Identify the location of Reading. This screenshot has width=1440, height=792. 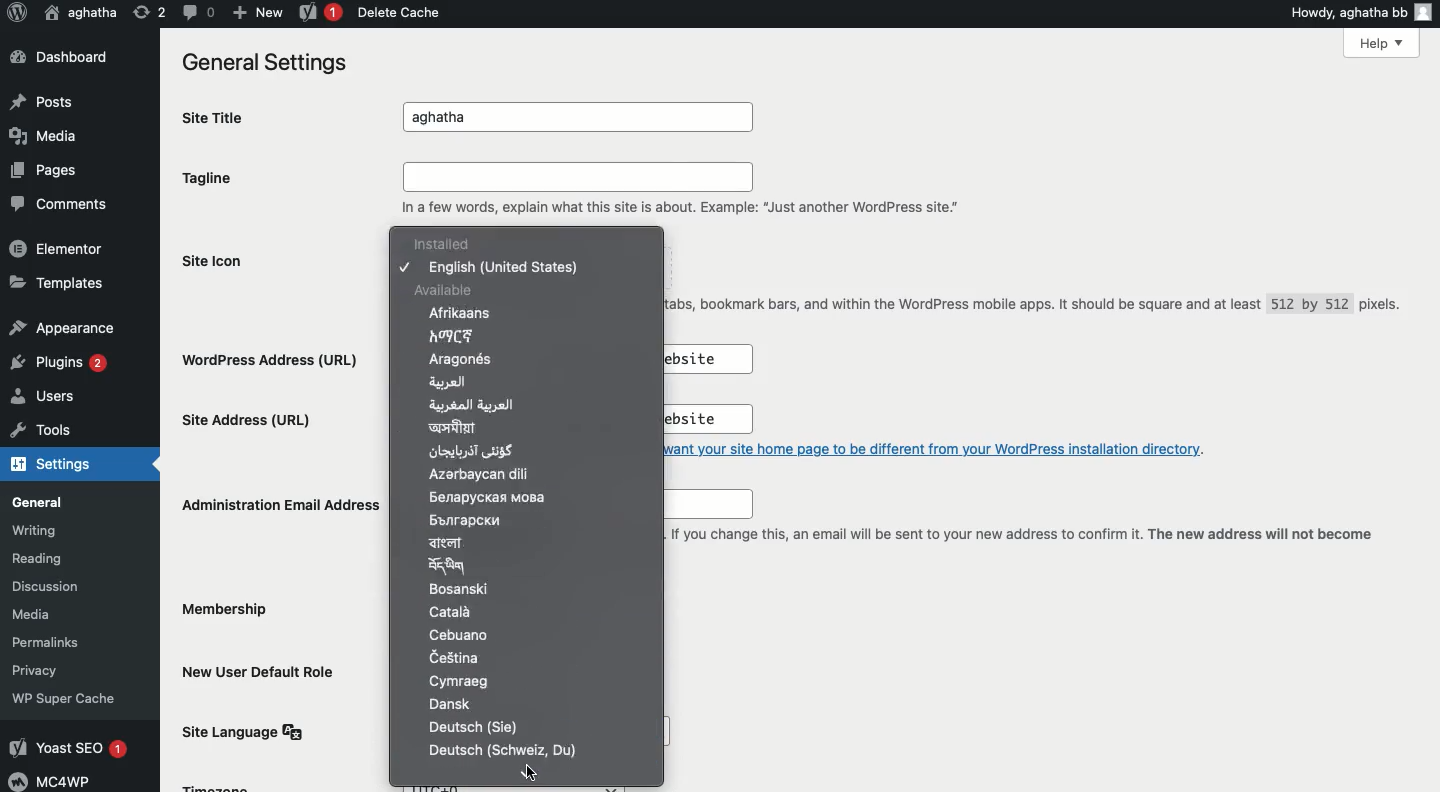
(58, 559).